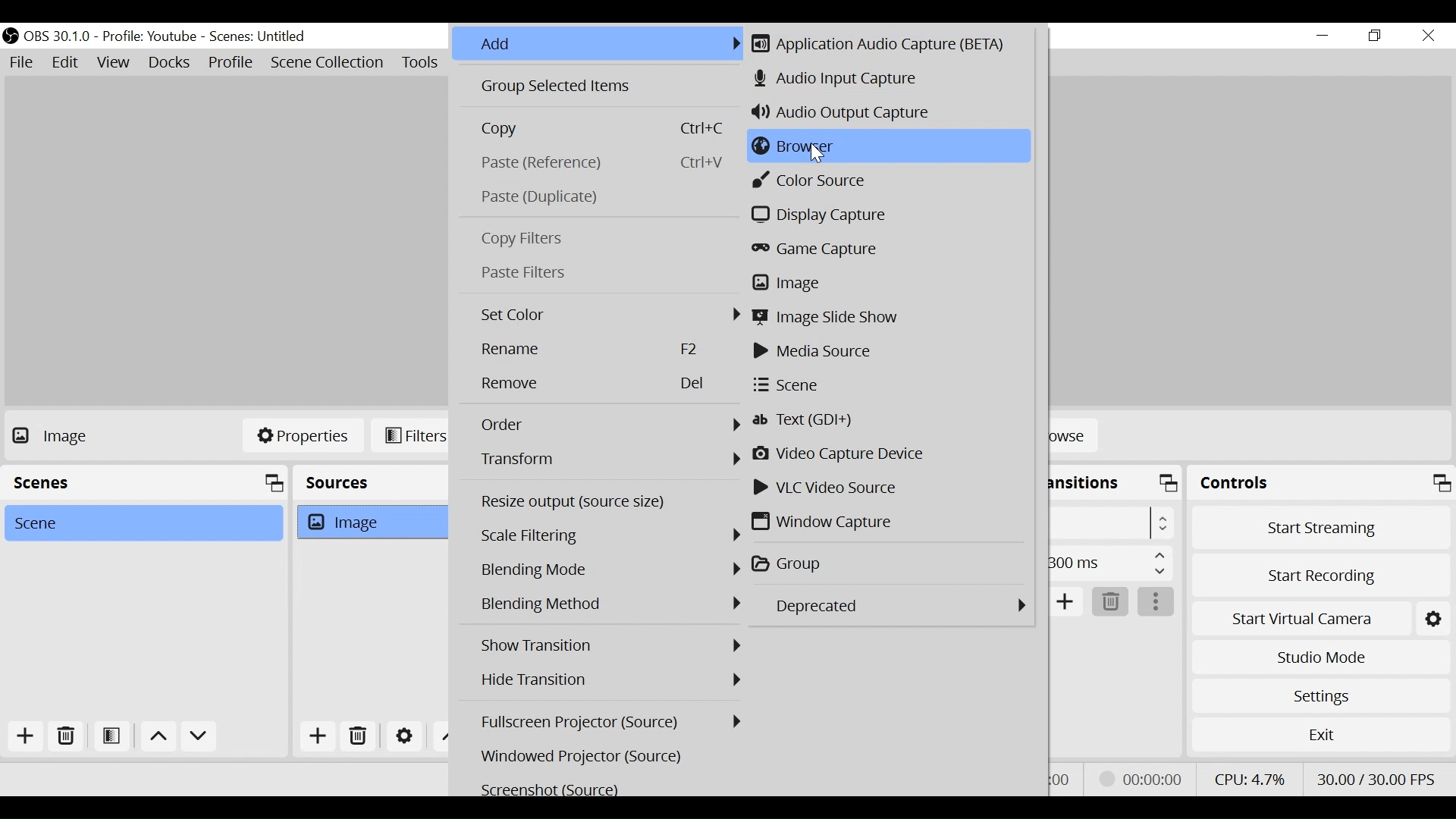 This screenshot has width=1456, height=819. Describe the element at coordinates (12, 36) in the screenshot. I see `OBS Studio Desktop Icon` at that location.